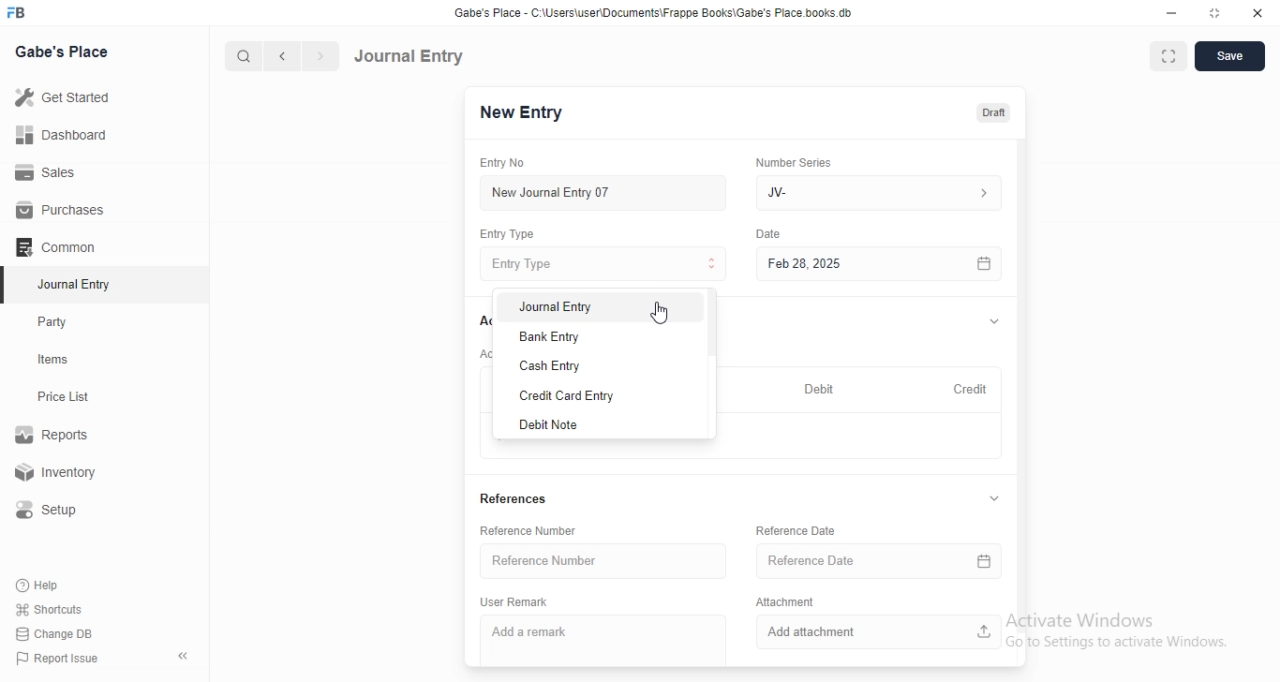 The height and width of the screenshot is (682, 1280). Describe the element at coordinates (18, 13) in the screenshot. I see `FB logo` at that location.